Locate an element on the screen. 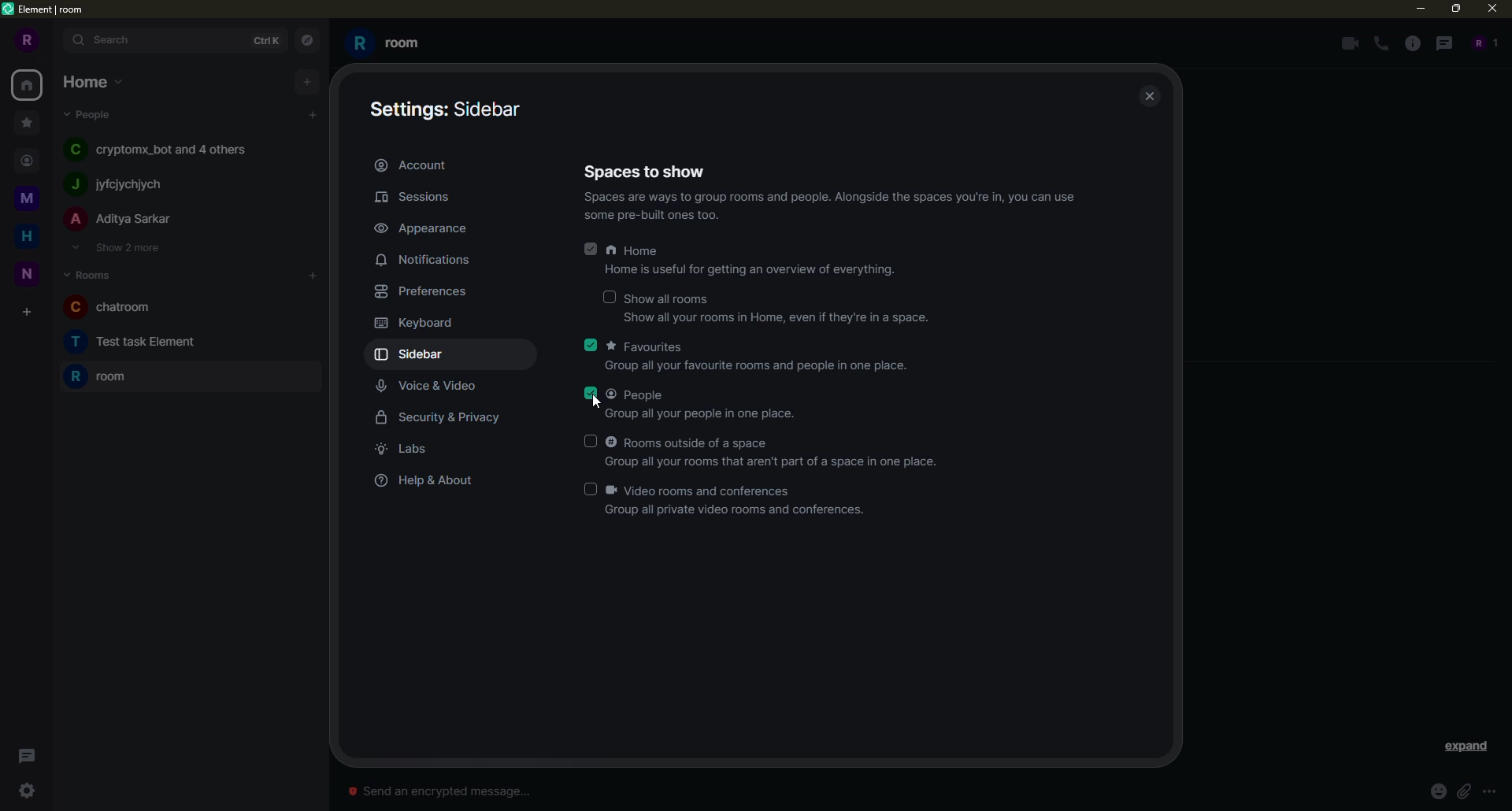 The image size is (1512, 811). selected is located at coordinates (592, 345).